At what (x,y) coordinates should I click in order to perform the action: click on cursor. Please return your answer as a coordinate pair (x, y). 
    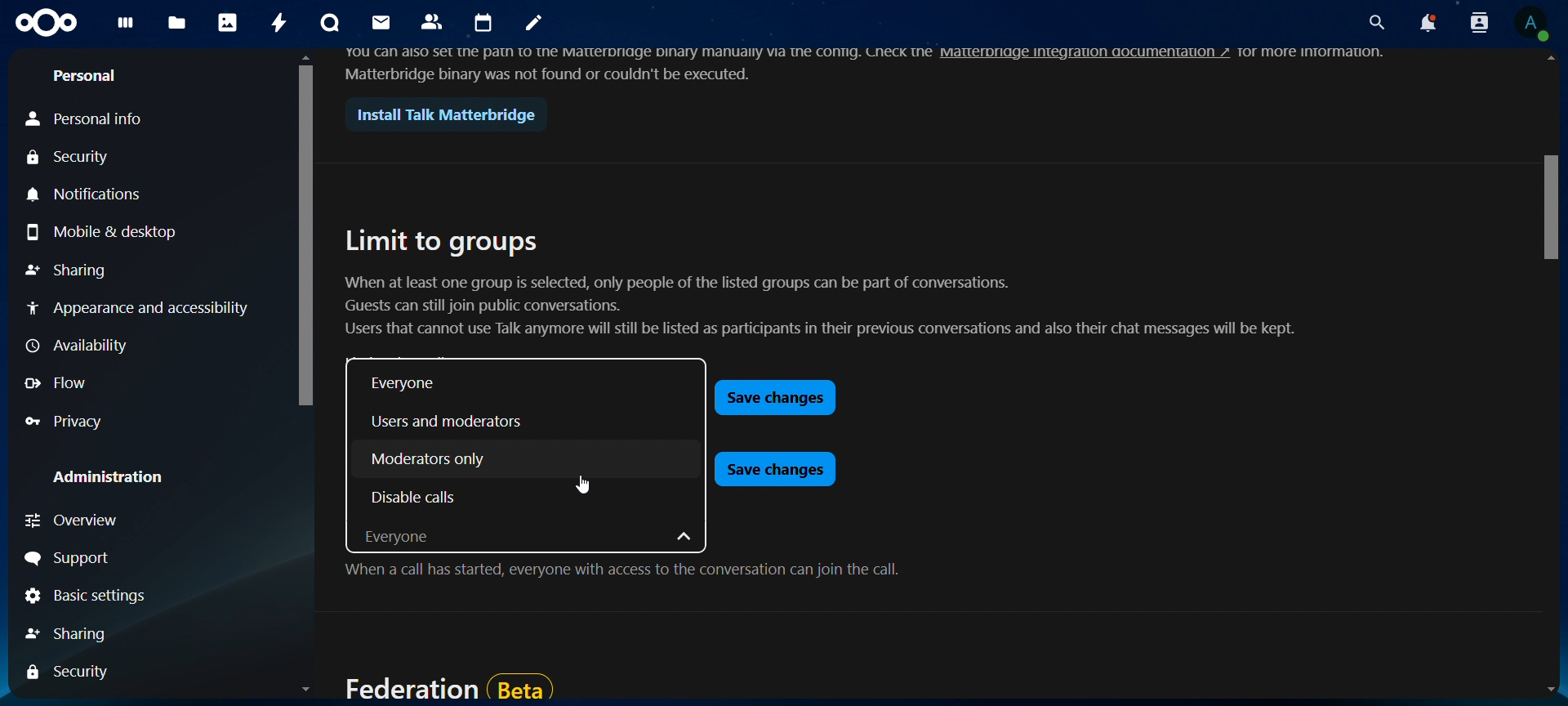
    Looking at the image, I should click on (577, 485).